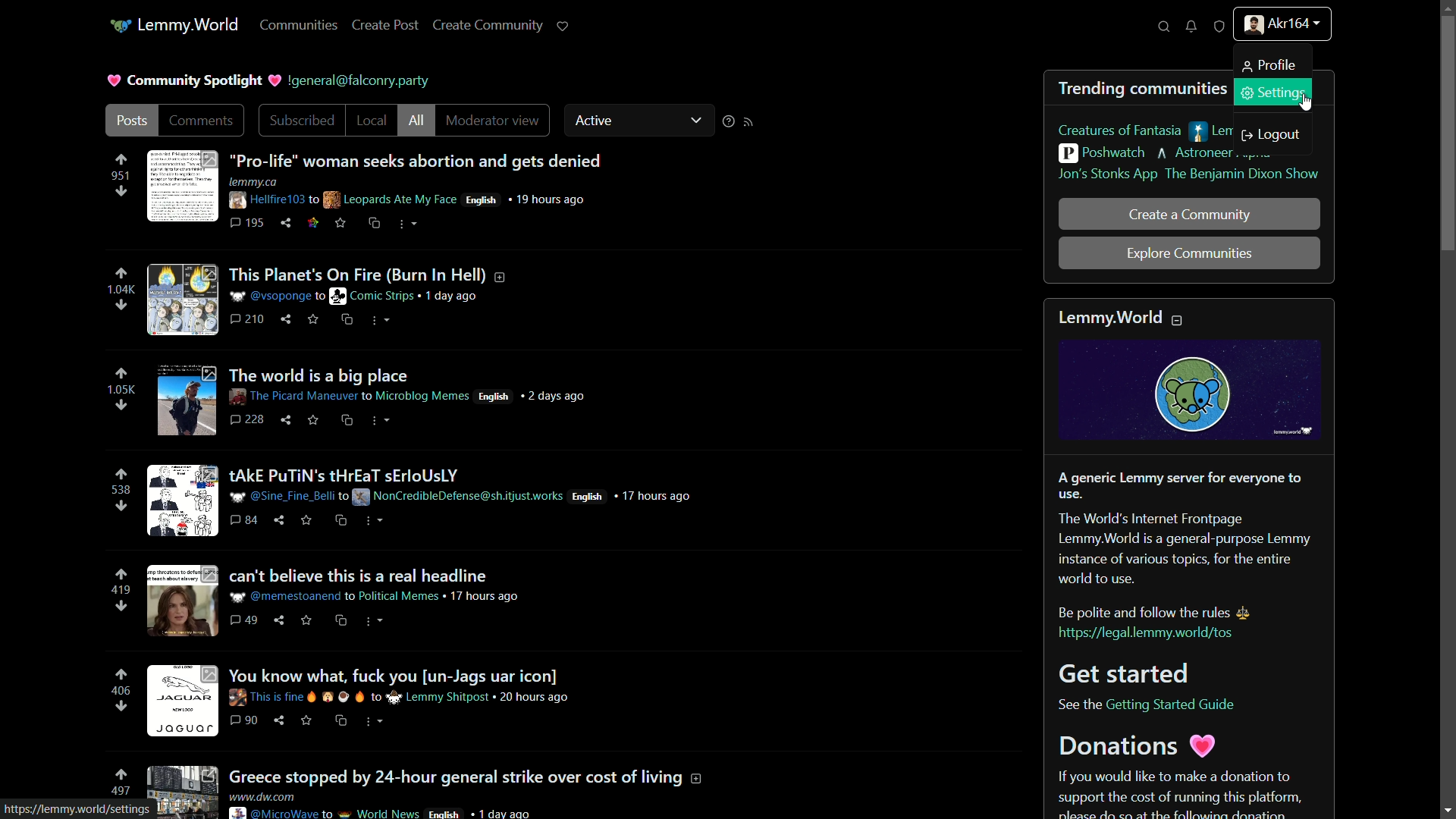 The image size is (1456, 819). I want to click on rss, so click(748, 121).